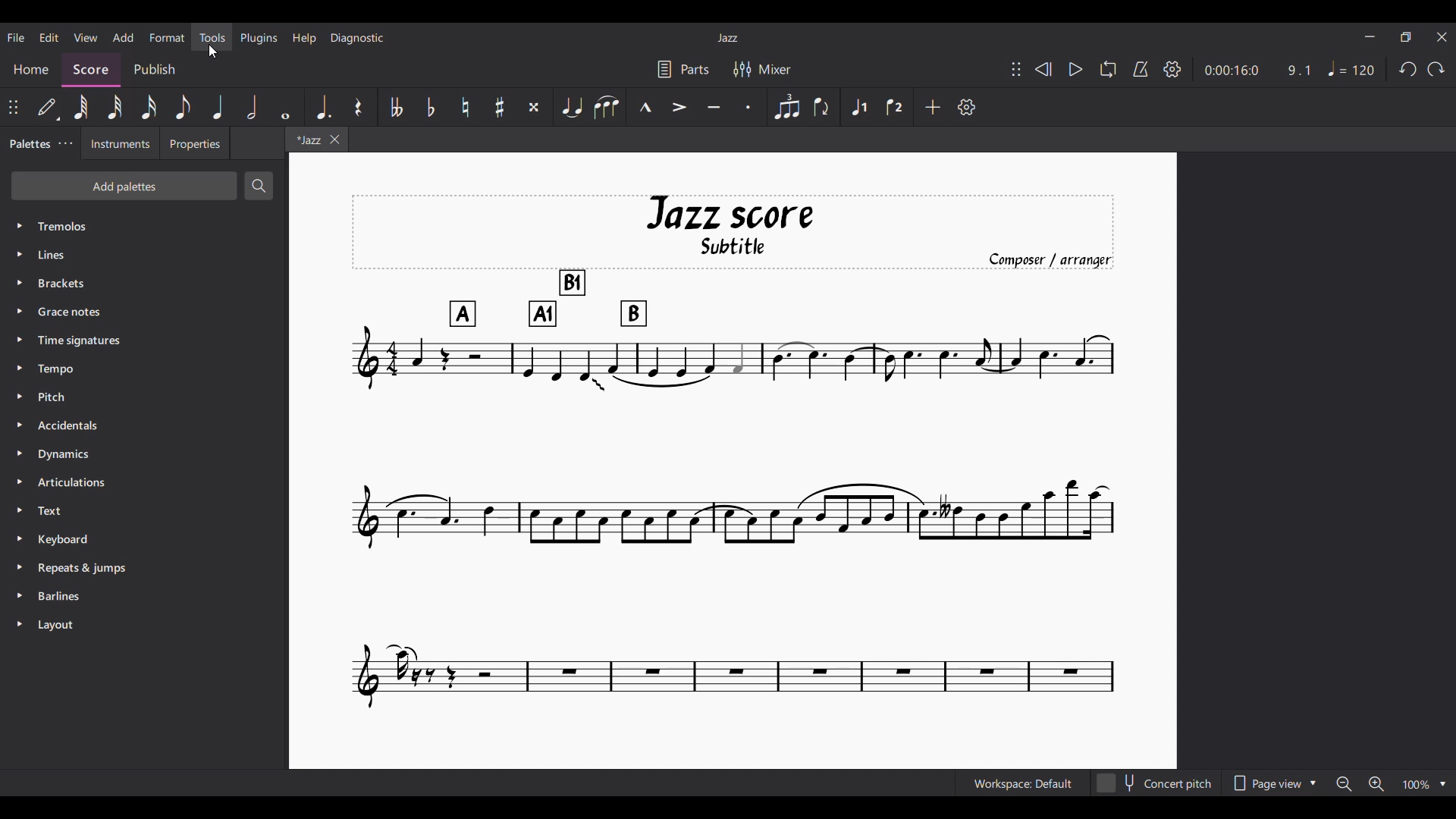  I want to click on Barlines, so click(144, 596).